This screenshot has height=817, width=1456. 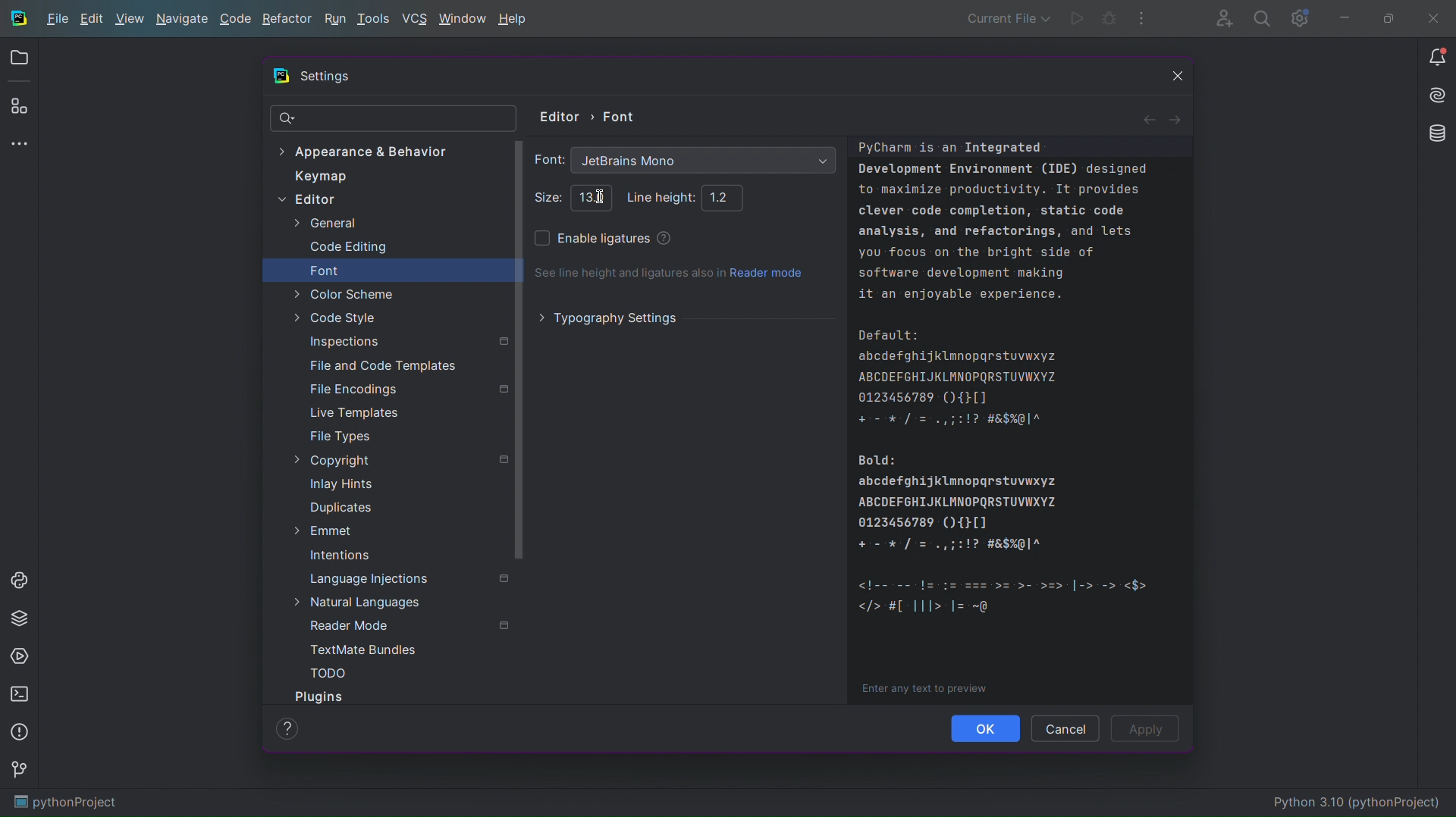 I want to click on Color Scheme, so click(x=344, y=294).